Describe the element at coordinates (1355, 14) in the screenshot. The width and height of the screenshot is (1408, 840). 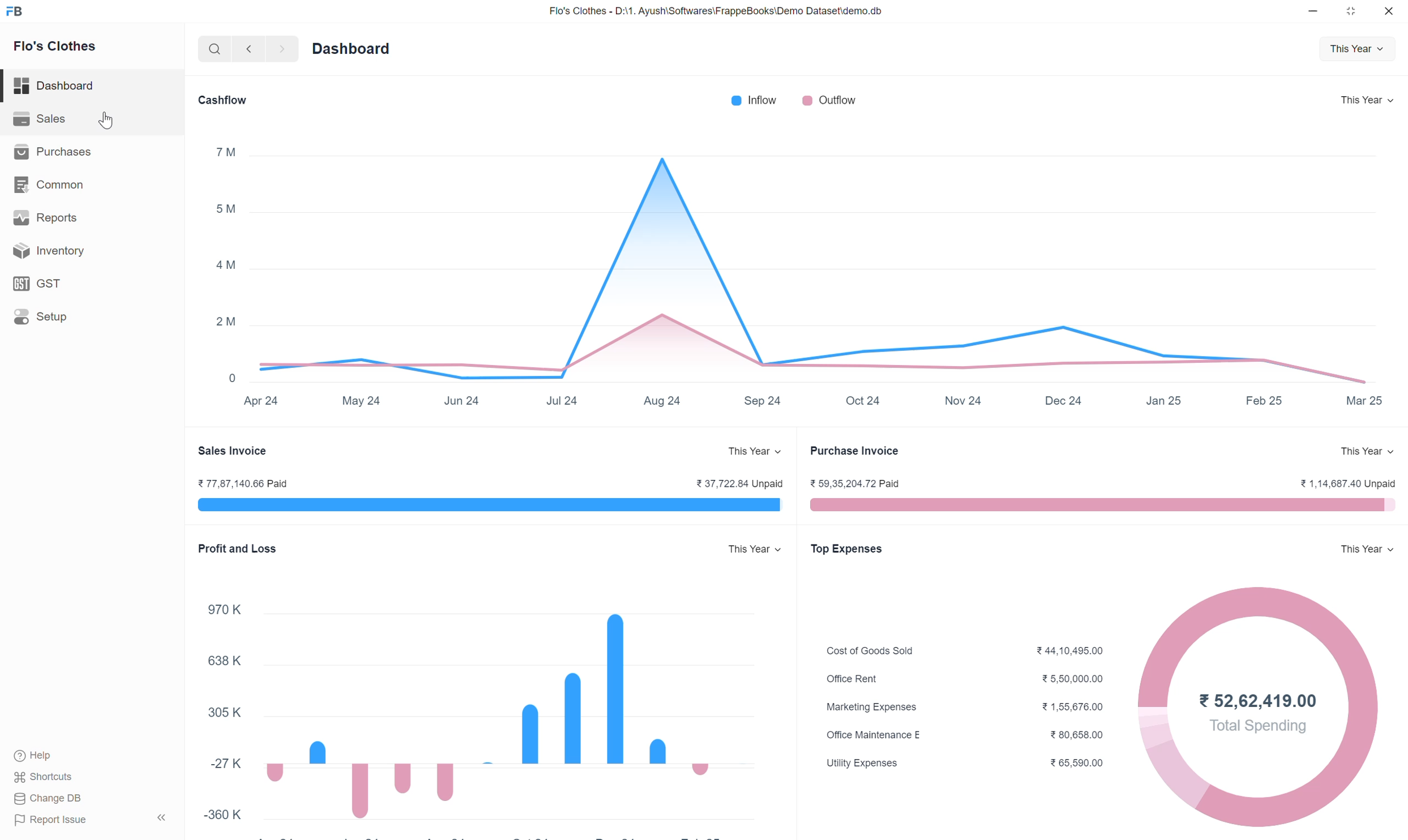
I see `resize ` at that location.